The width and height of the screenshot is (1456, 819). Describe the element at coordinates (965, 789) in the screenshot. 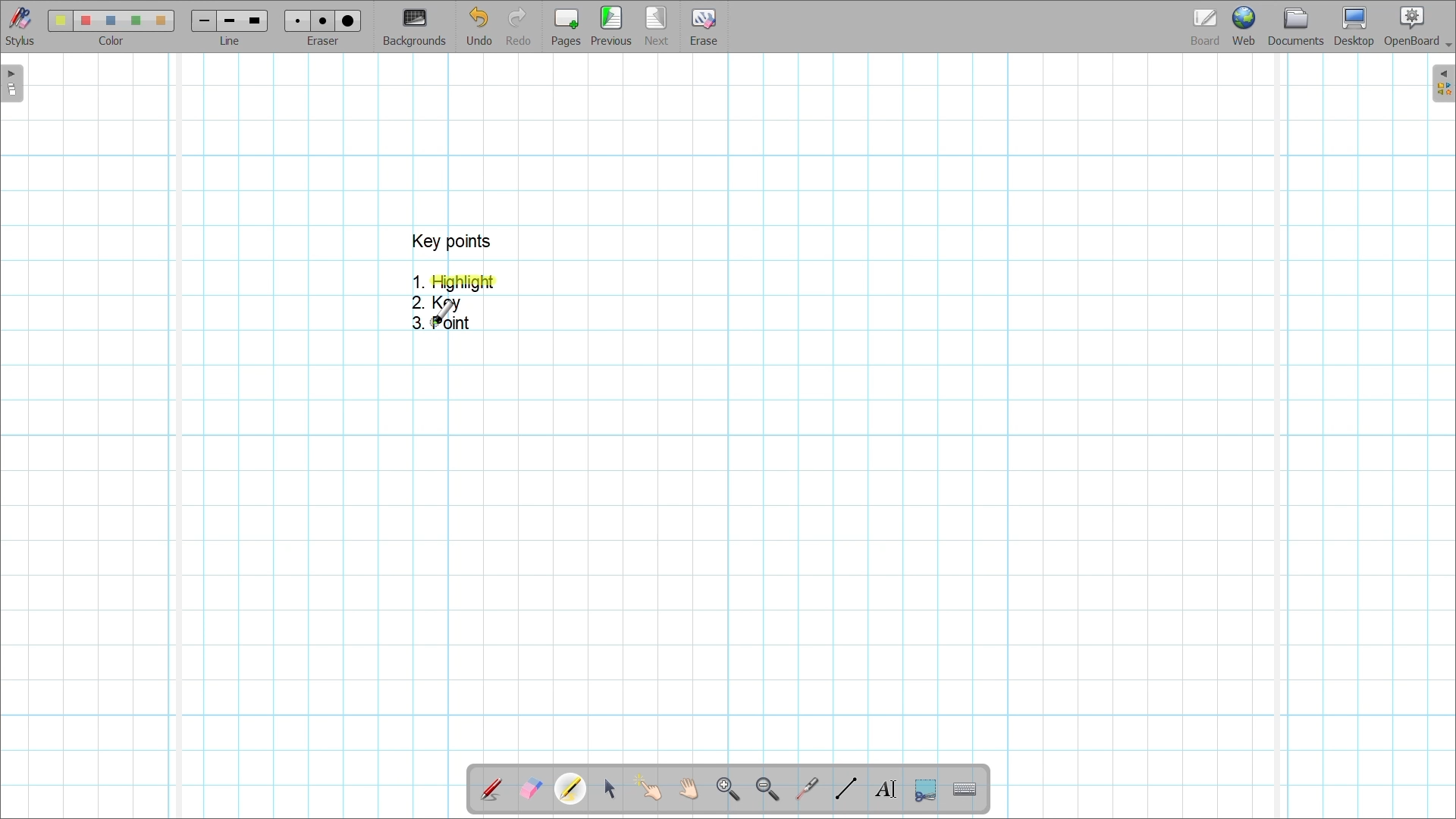

I see `Display virtual keyboard` at that location.